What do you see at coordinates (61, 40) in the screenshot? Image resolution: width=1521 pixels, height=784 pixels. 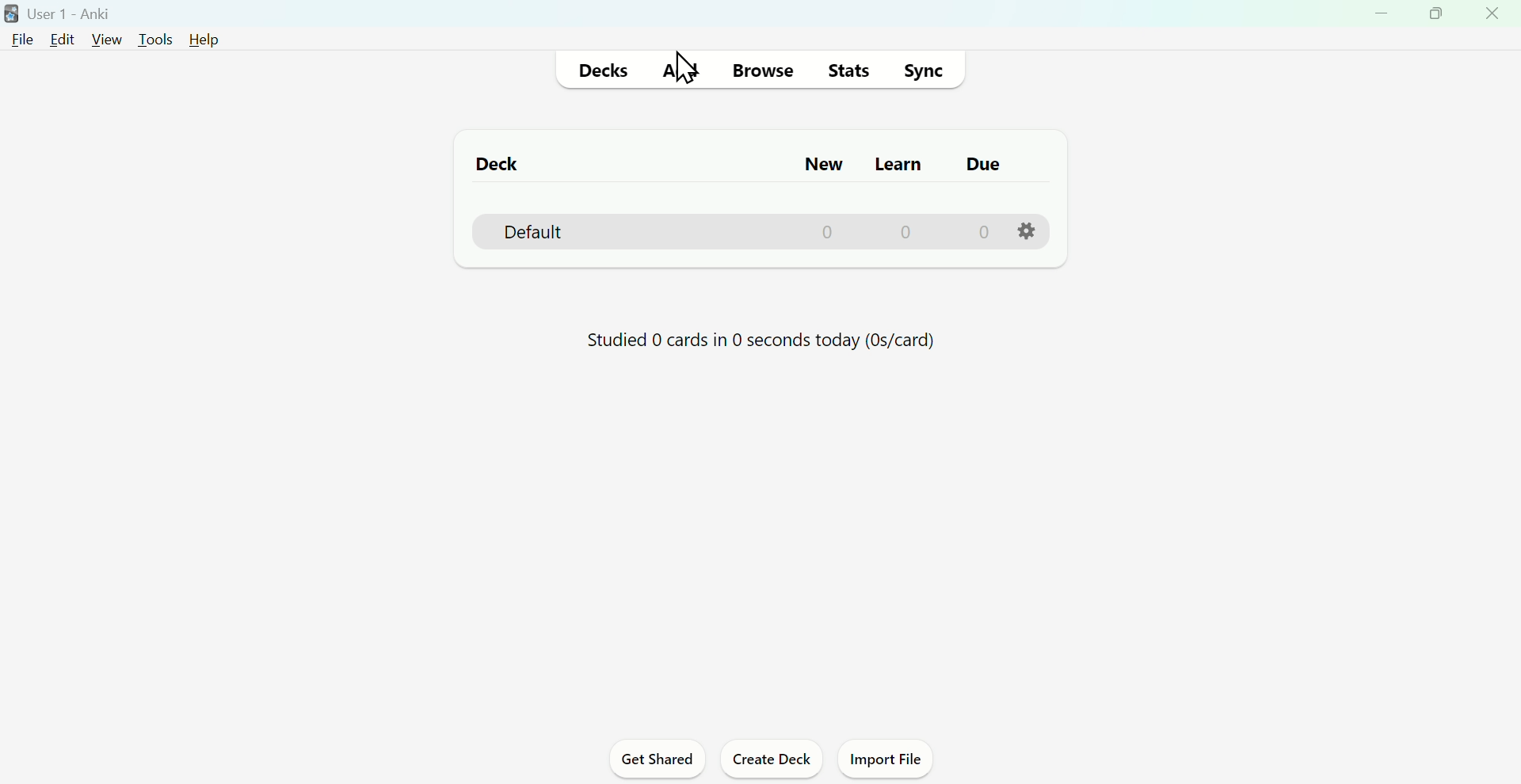 I see `Edit` at bounding box center [61, 40].